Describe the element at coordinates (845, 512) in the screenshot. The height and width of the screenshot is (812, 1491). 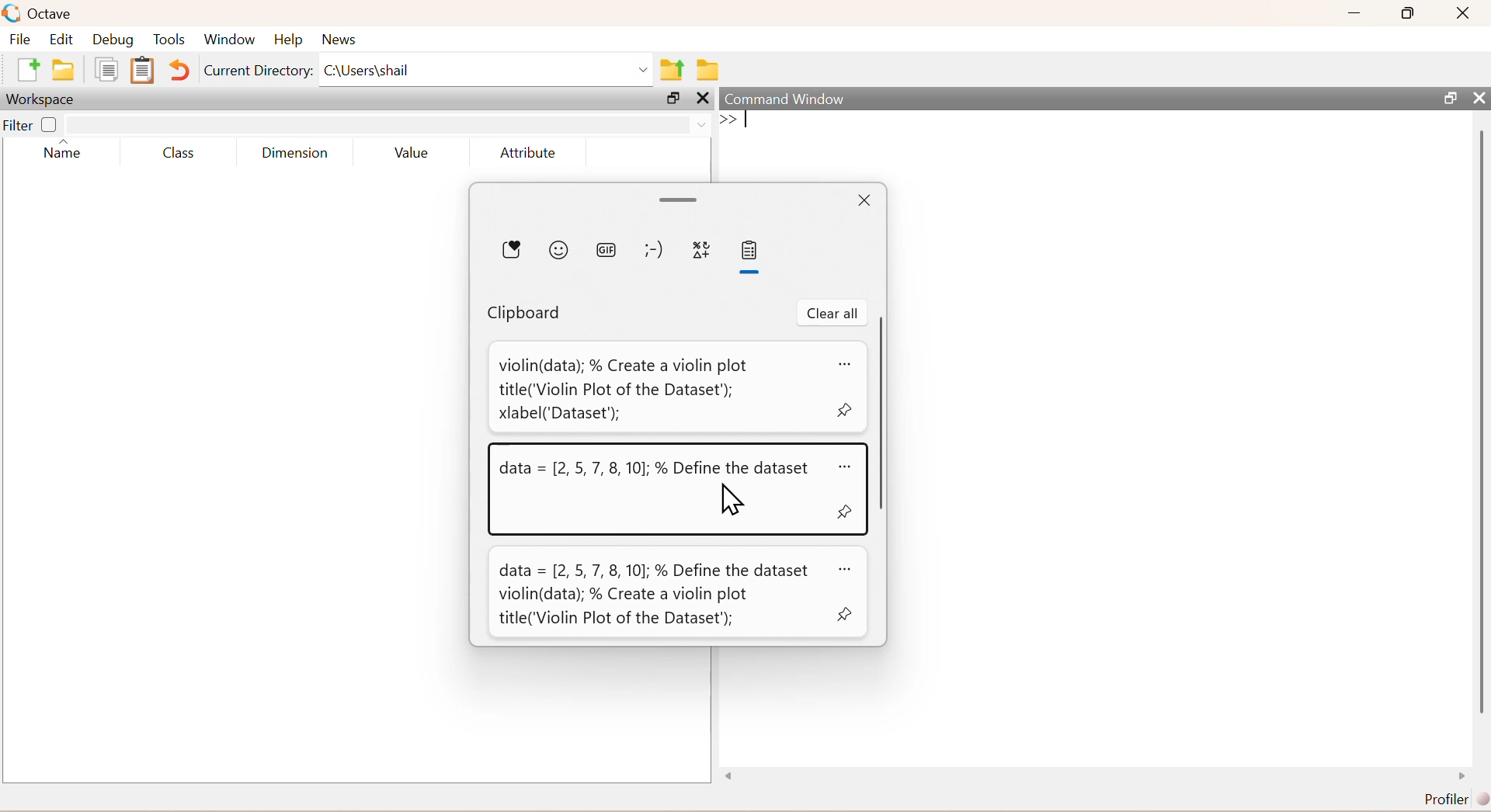
I see `pin` at that location.